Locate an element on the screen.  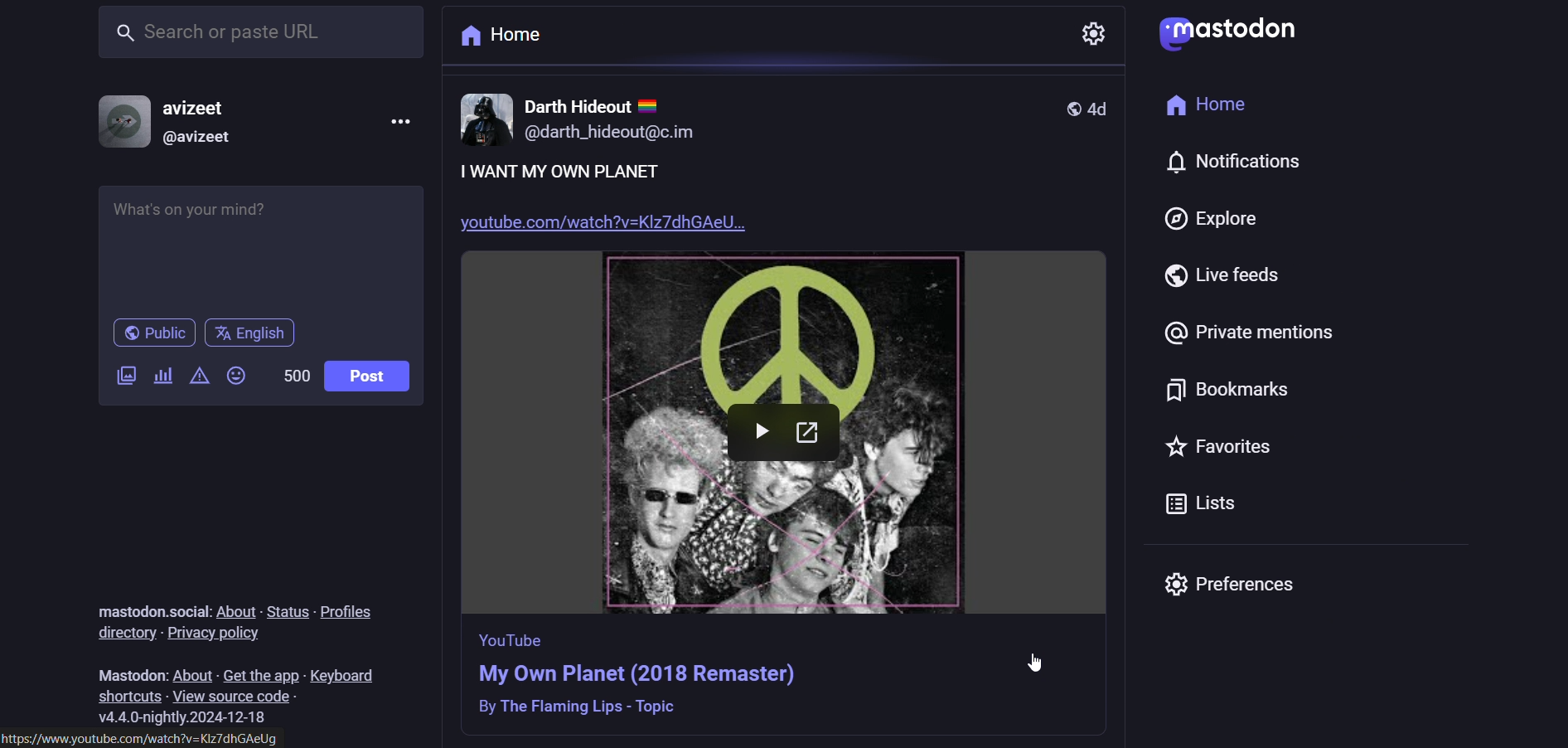
home is located at coordinates (1198, 106).